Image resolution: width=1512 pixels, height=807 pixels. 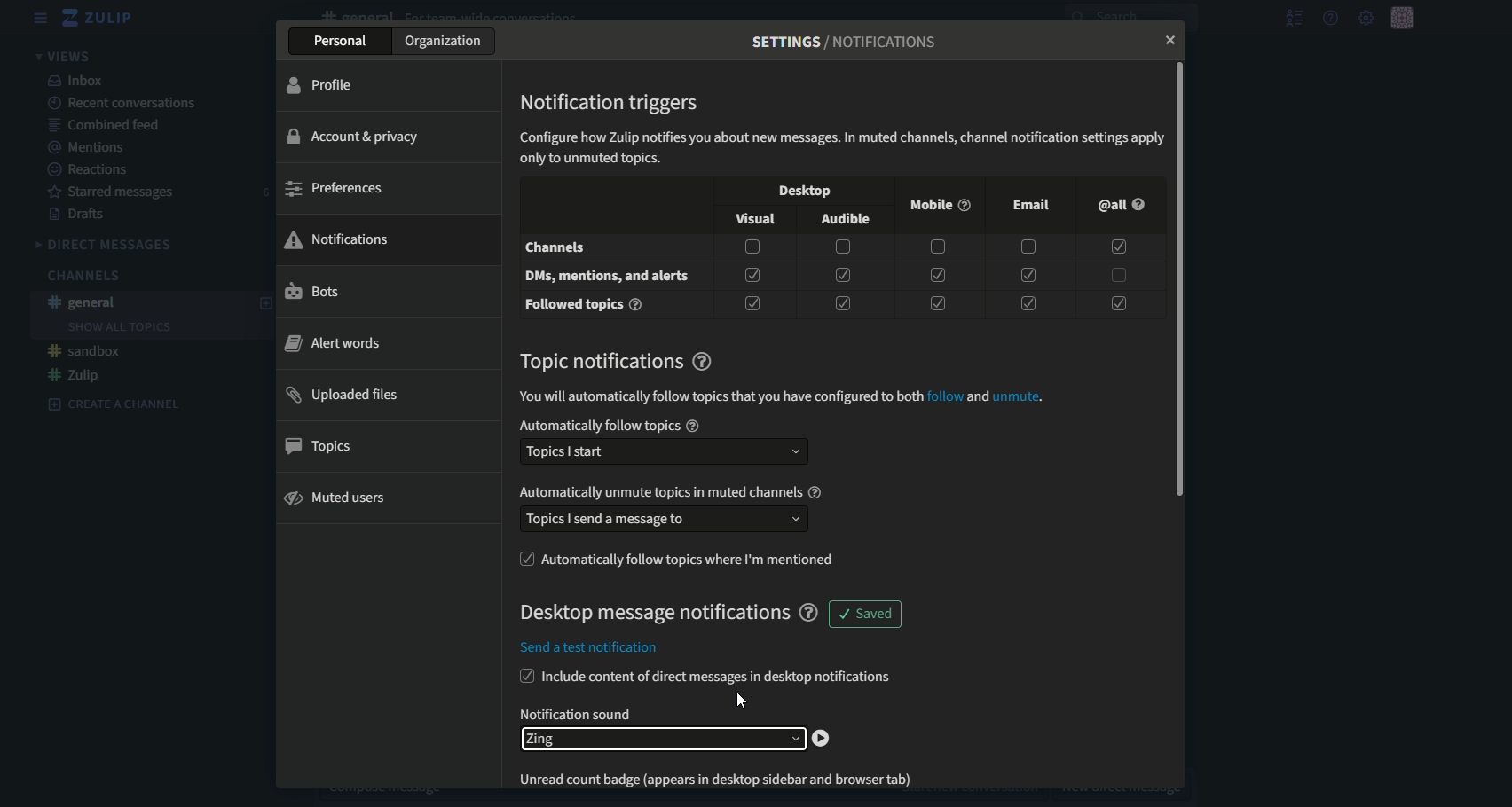 I want to click on text, so click(x=665, y=492).